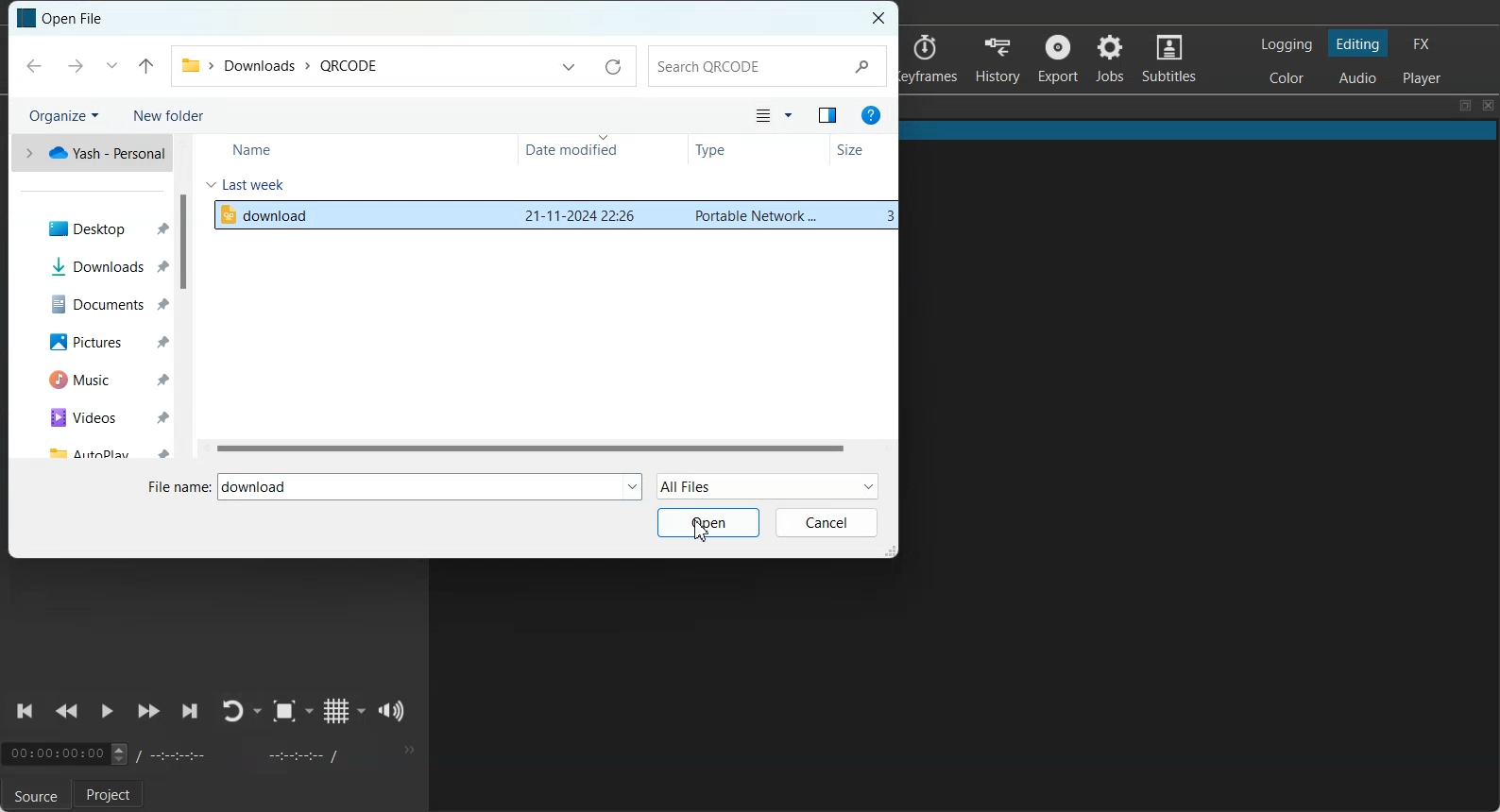 This screenshot has height=812, width=1500. What do you see at coordinates (827, 116) in the screenshot?
I see `Show the preview pane` at bounding box center [827, 116].